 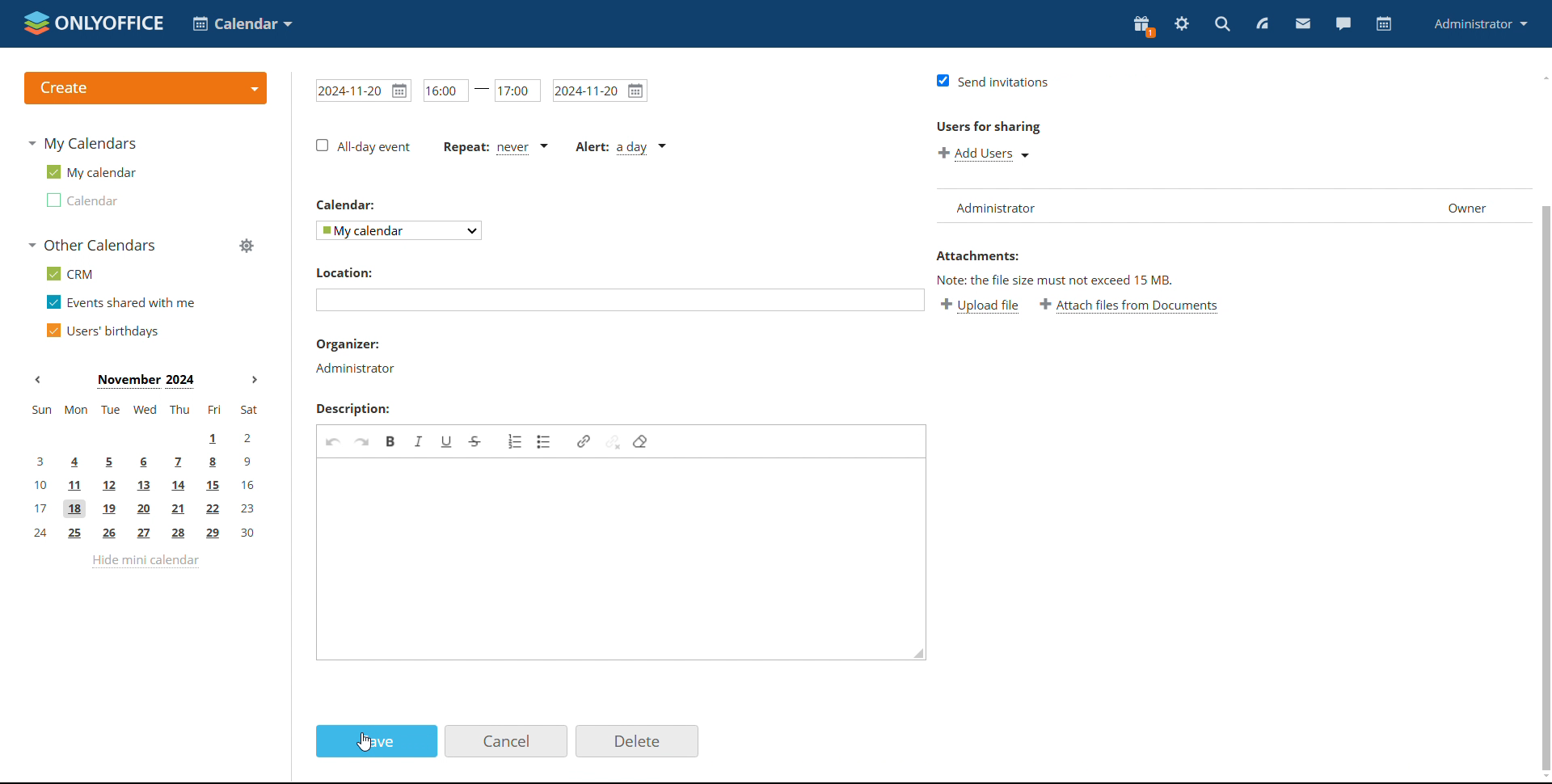 What do you see at coordinates (1303, 25) in the screenshot?
I see `mail` at bounding box center [1303, 25].